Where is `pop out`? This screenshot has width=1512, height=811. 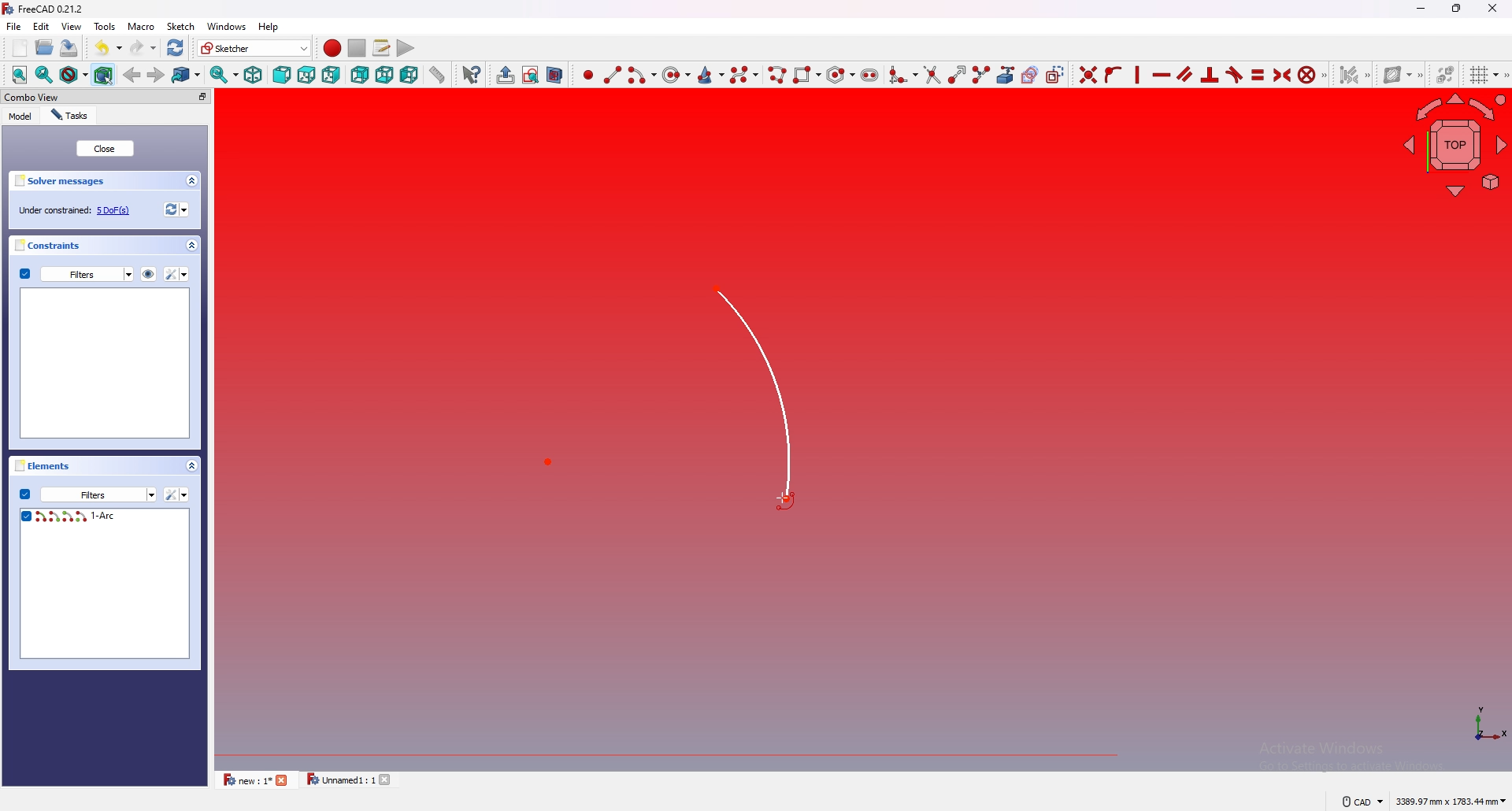 pop out is located at coordinates (202, 97).